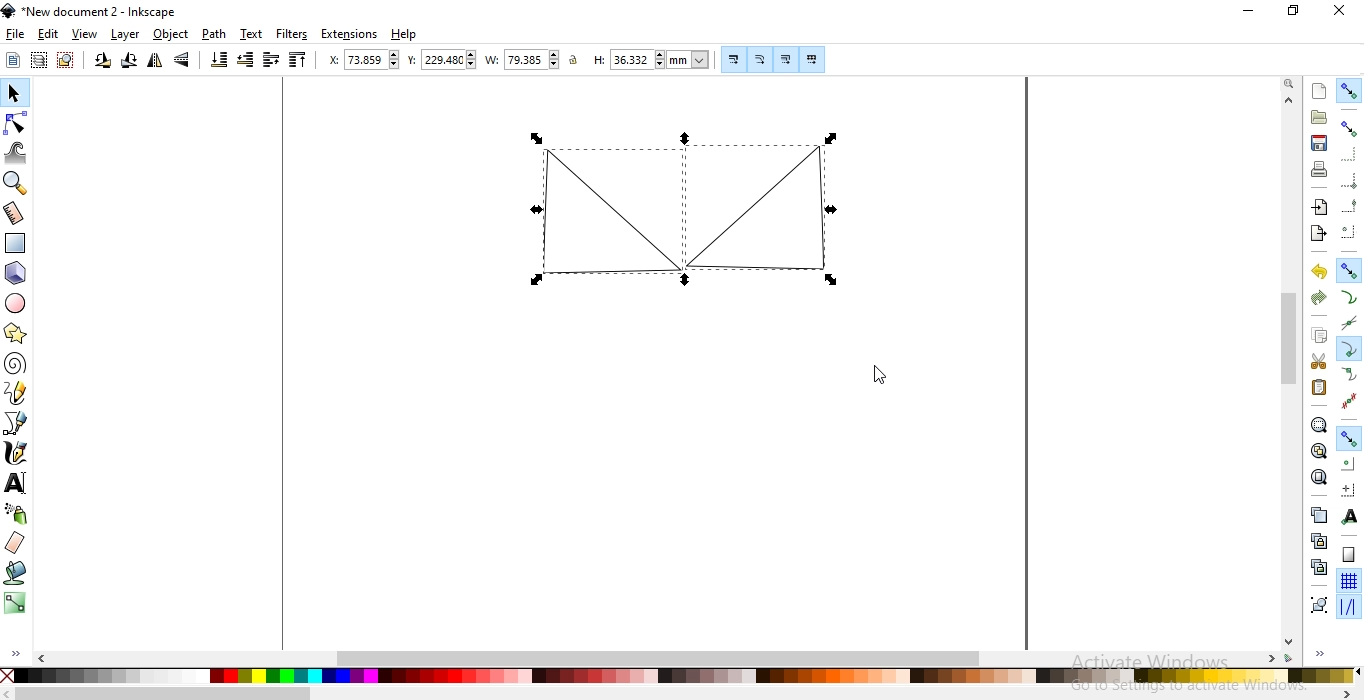  I want to click on create circles, arcs and ellipses, so click(17, 302).